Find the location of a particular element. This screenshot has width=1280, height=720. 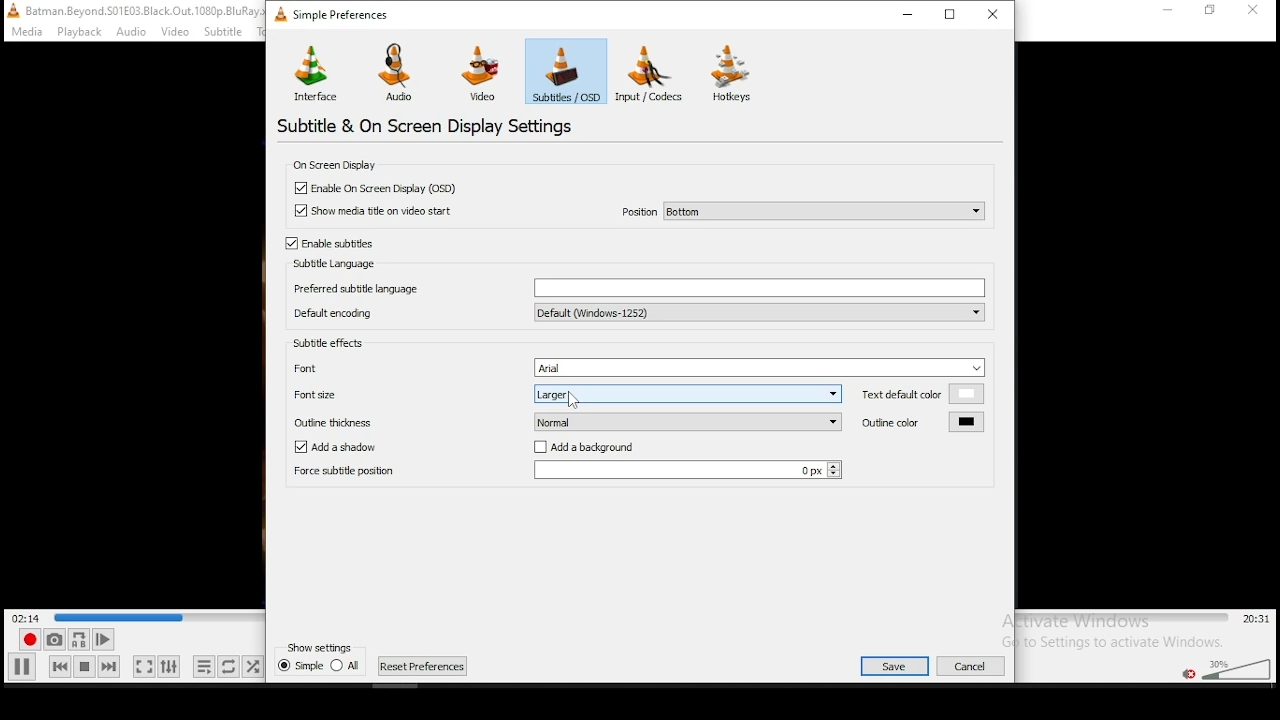

outline thickness is located at coordinates (568, 420).